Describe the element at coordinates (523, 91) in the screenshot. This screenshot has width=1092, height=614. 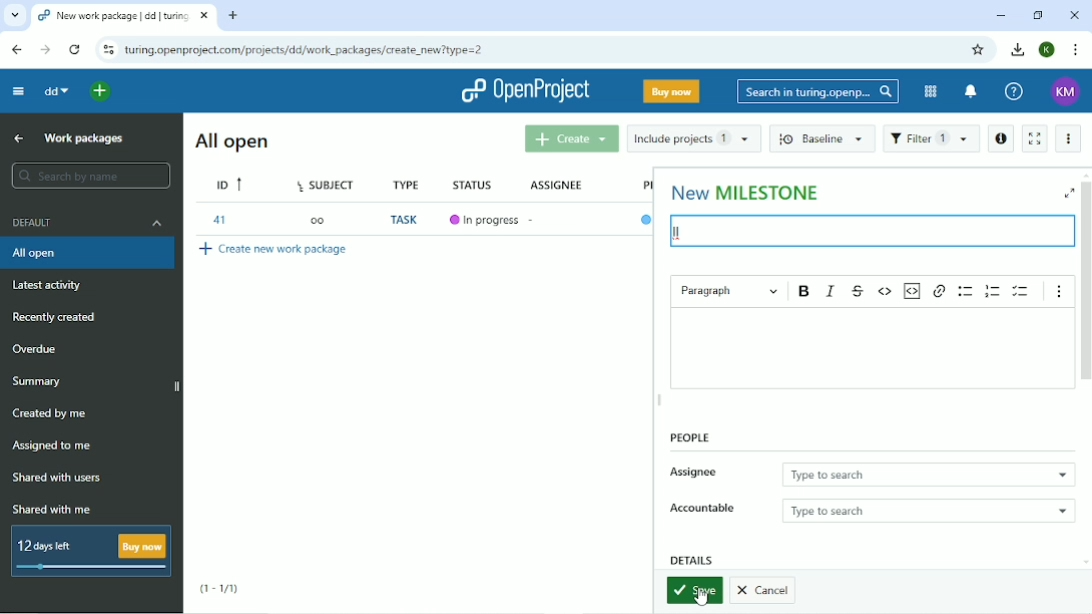
I see `OpenProject` at that location.